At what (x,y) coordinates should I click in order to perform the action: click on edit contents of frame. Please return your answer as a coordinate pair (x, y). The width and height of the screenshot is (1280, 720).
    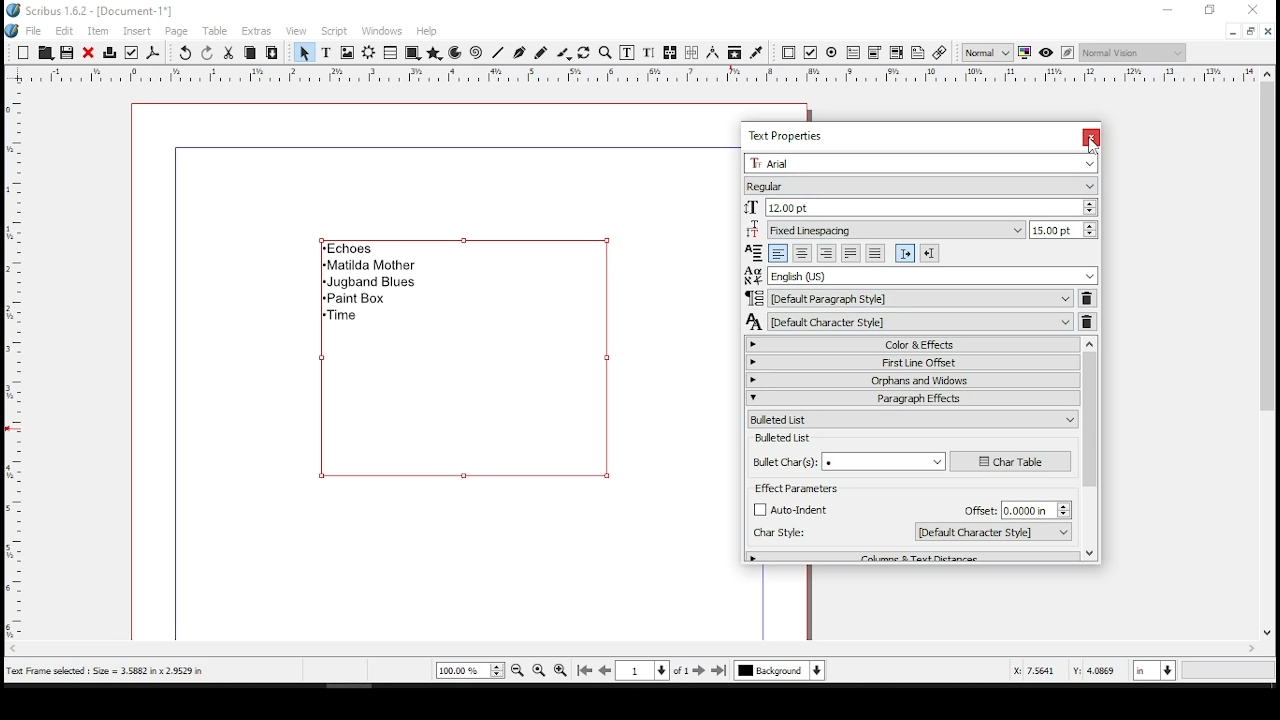
    Looking at the image, I should click on (626, 53).